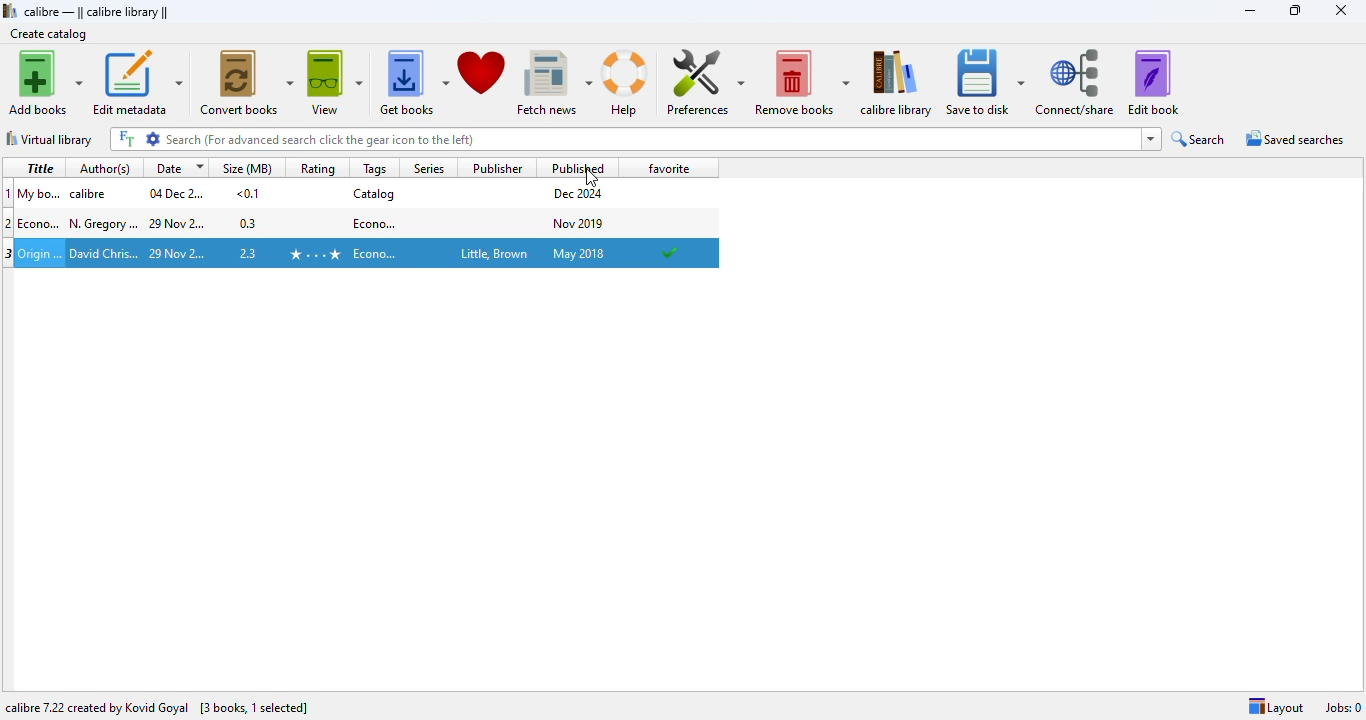  What do you see at coordinates (95, 11) in the screenshot?
I see `calibre library` at bounding box center [95, 11].